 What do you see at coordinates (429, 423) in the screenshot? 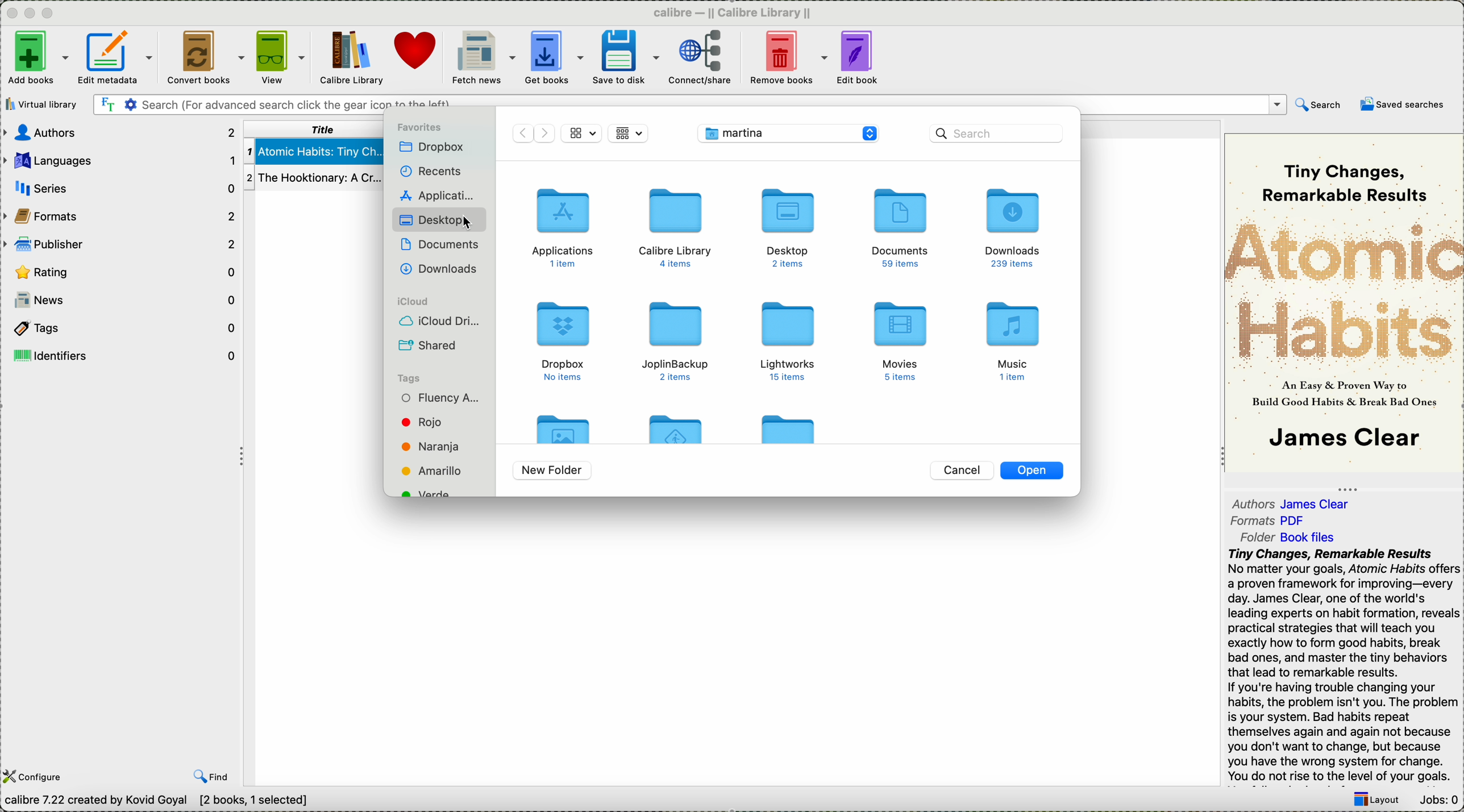
I see `tag` at bounding box center [429, 423].